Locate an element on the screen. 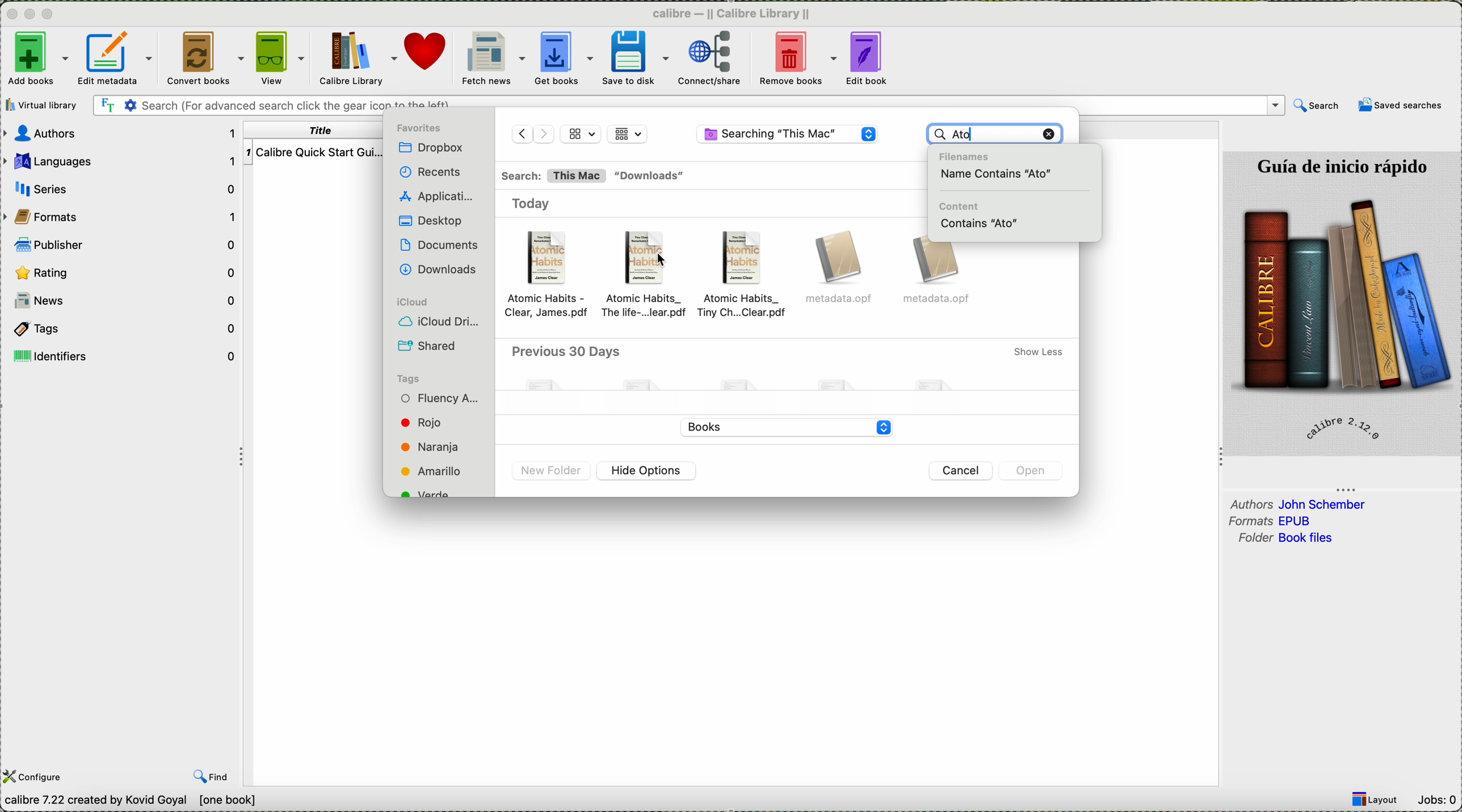  file is located at coordinates (746, 277).